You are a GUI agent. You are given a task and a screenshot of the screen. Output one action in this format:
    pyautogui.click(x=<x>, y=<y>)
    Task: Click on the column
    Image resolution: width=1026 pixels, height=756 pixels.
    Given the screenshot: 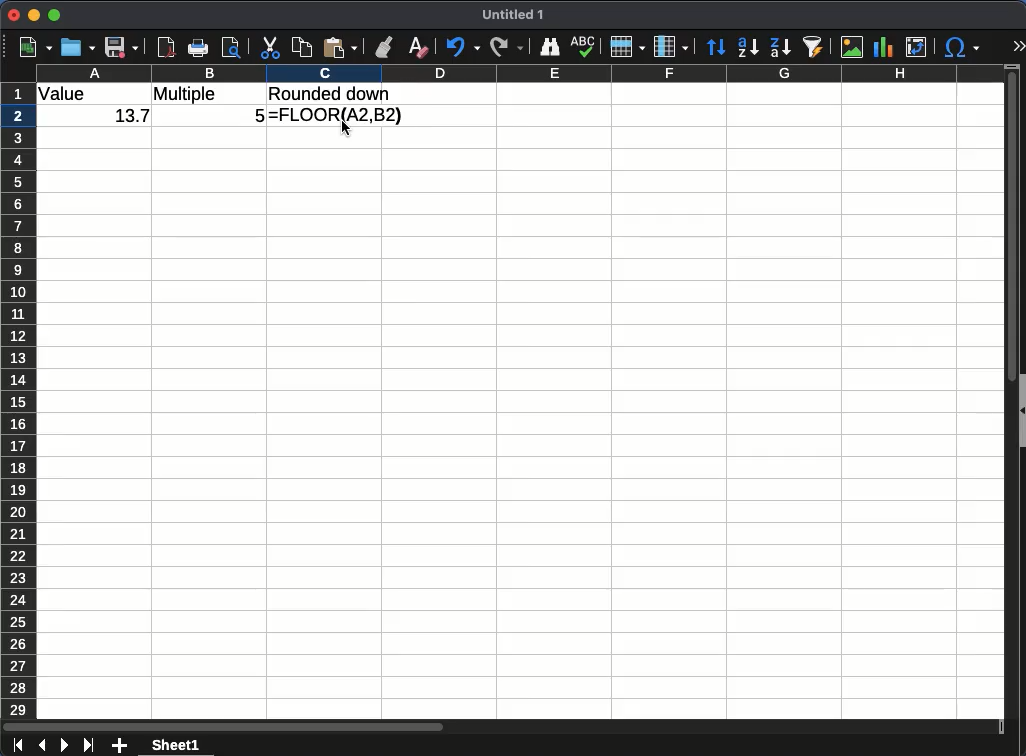 What is the action you would take?
    pyautogui.click(x=532, y=72)
    